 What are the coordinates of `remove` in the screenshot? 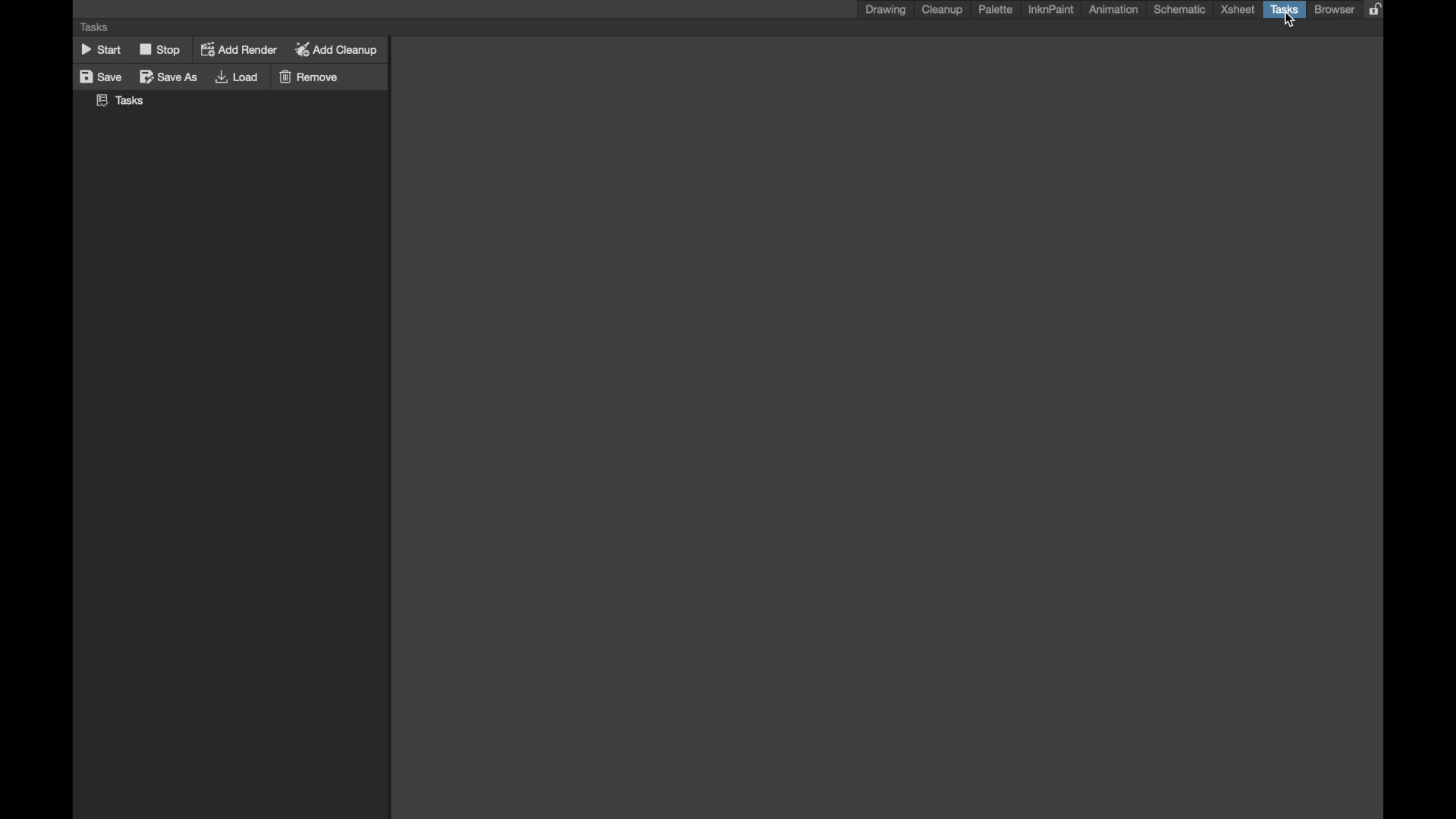 It's located at (309, 76).